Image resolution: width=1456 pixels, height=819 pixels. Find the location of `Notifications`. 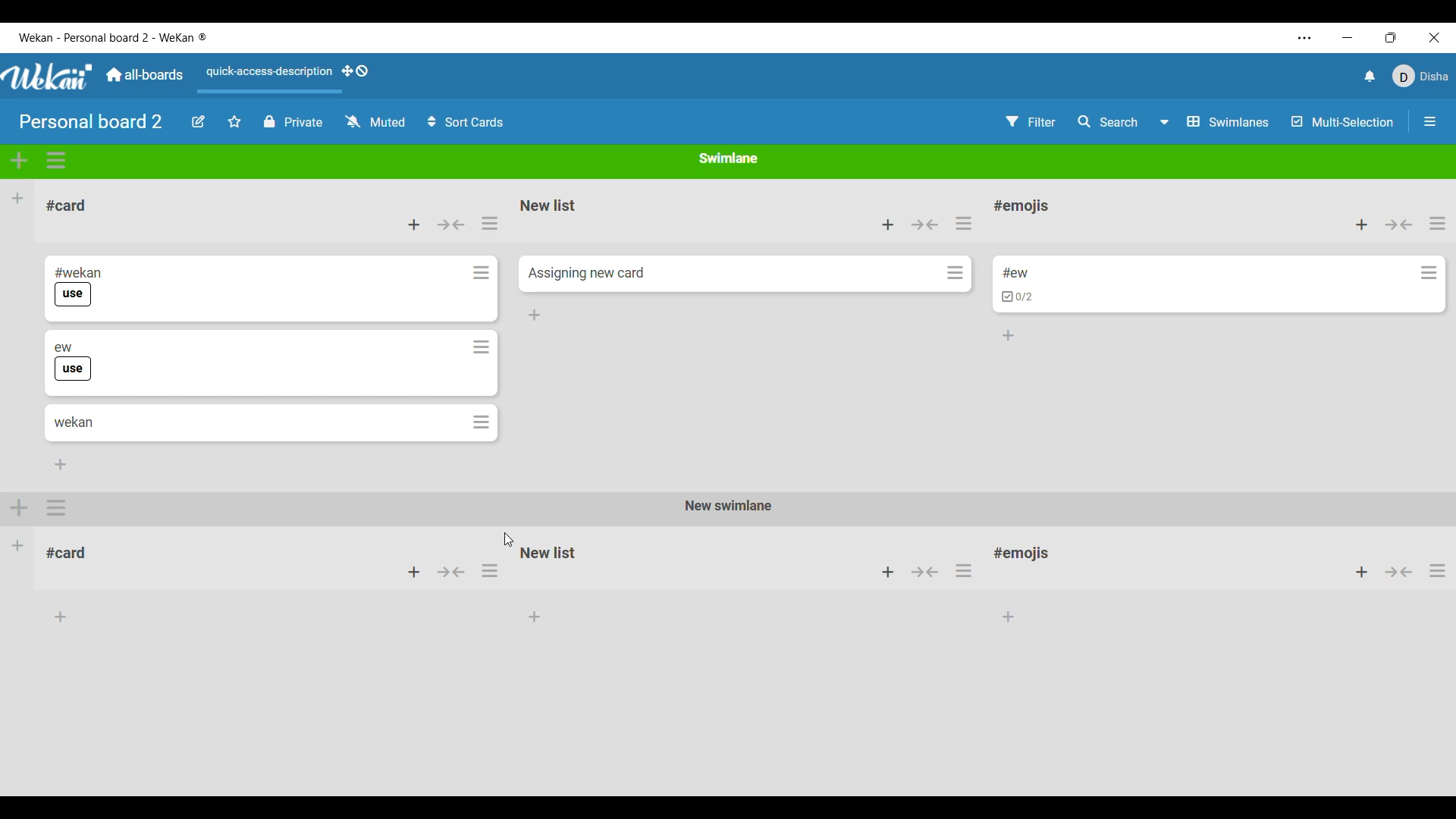

Notifications is located at coordinates (1370, 76).